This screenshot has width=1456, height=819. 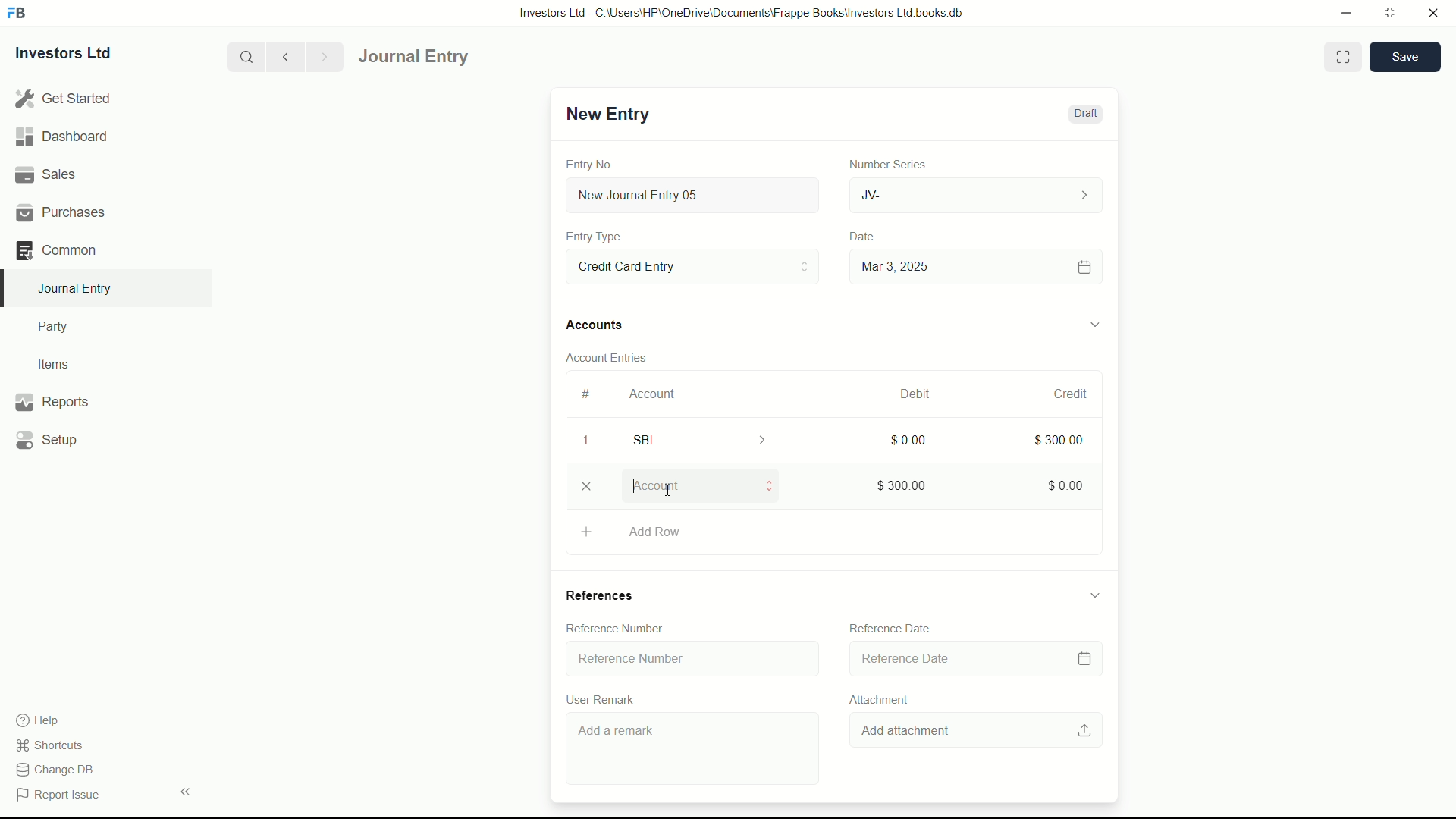 I want to click on FrappeBooks logo, so click(x=17, y=14).